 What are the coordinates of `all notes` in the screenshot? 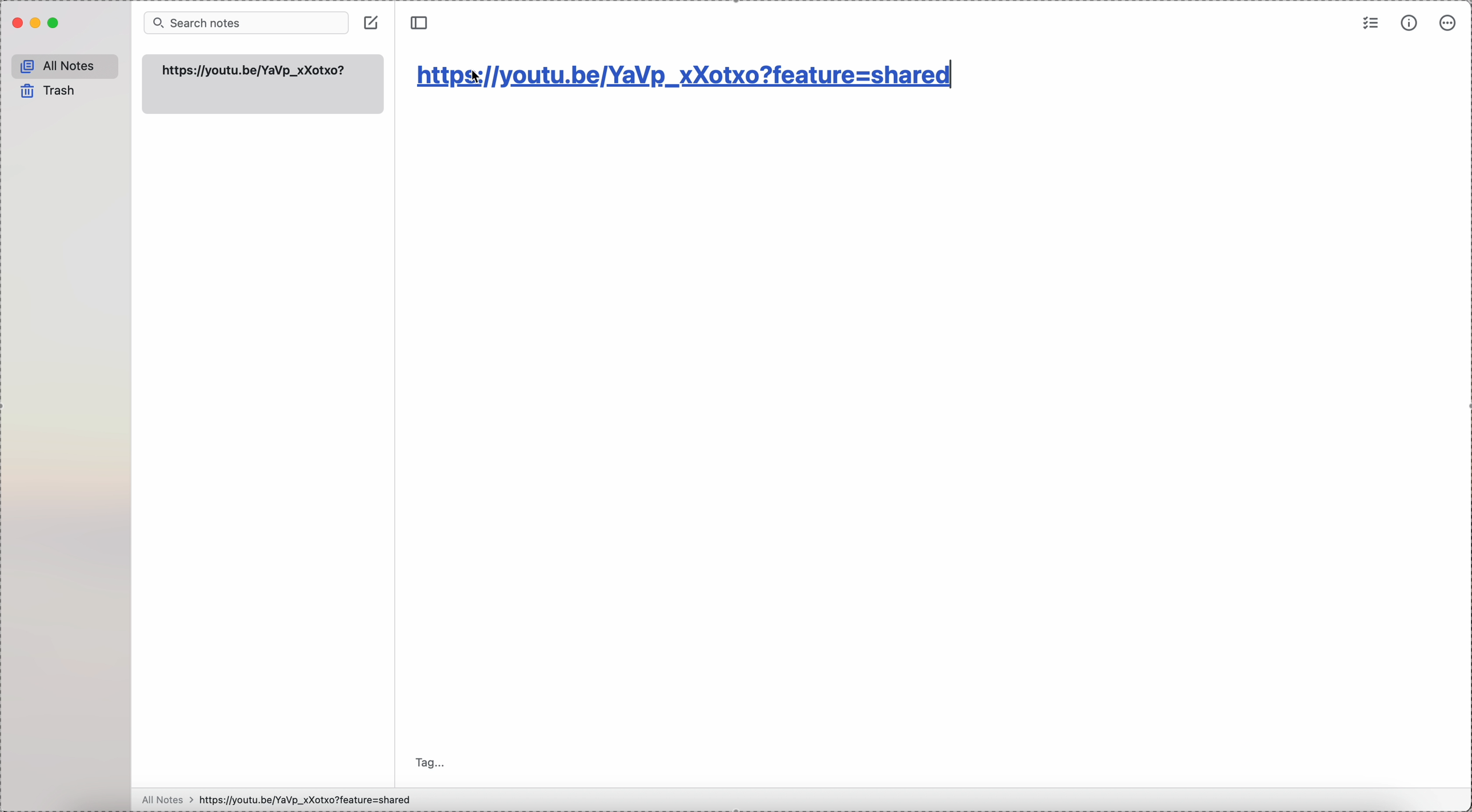 It's located at (65, 65).